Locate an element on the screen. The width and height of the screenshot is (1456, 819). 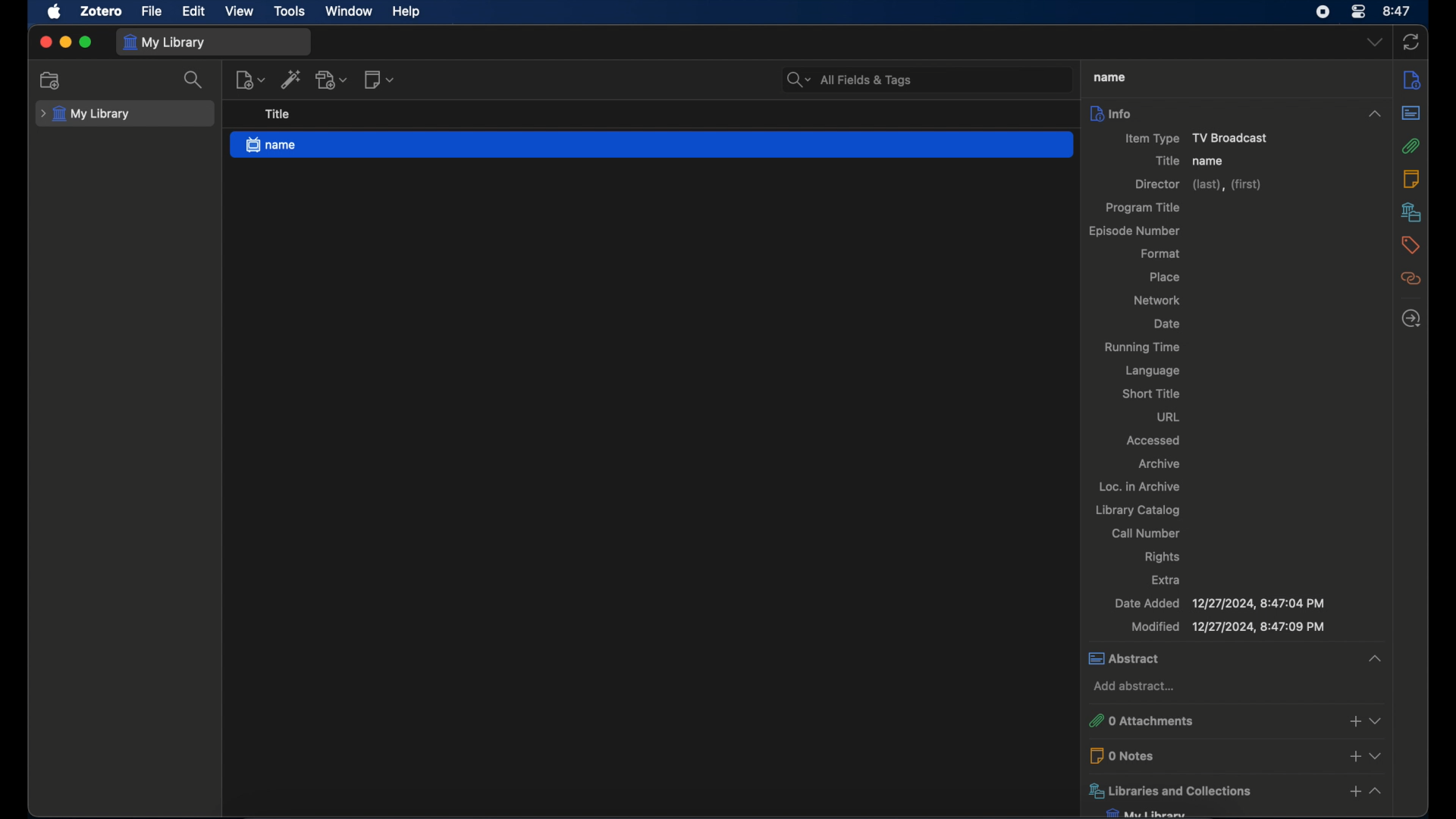
search bar input is located at coordinates (943, 77).